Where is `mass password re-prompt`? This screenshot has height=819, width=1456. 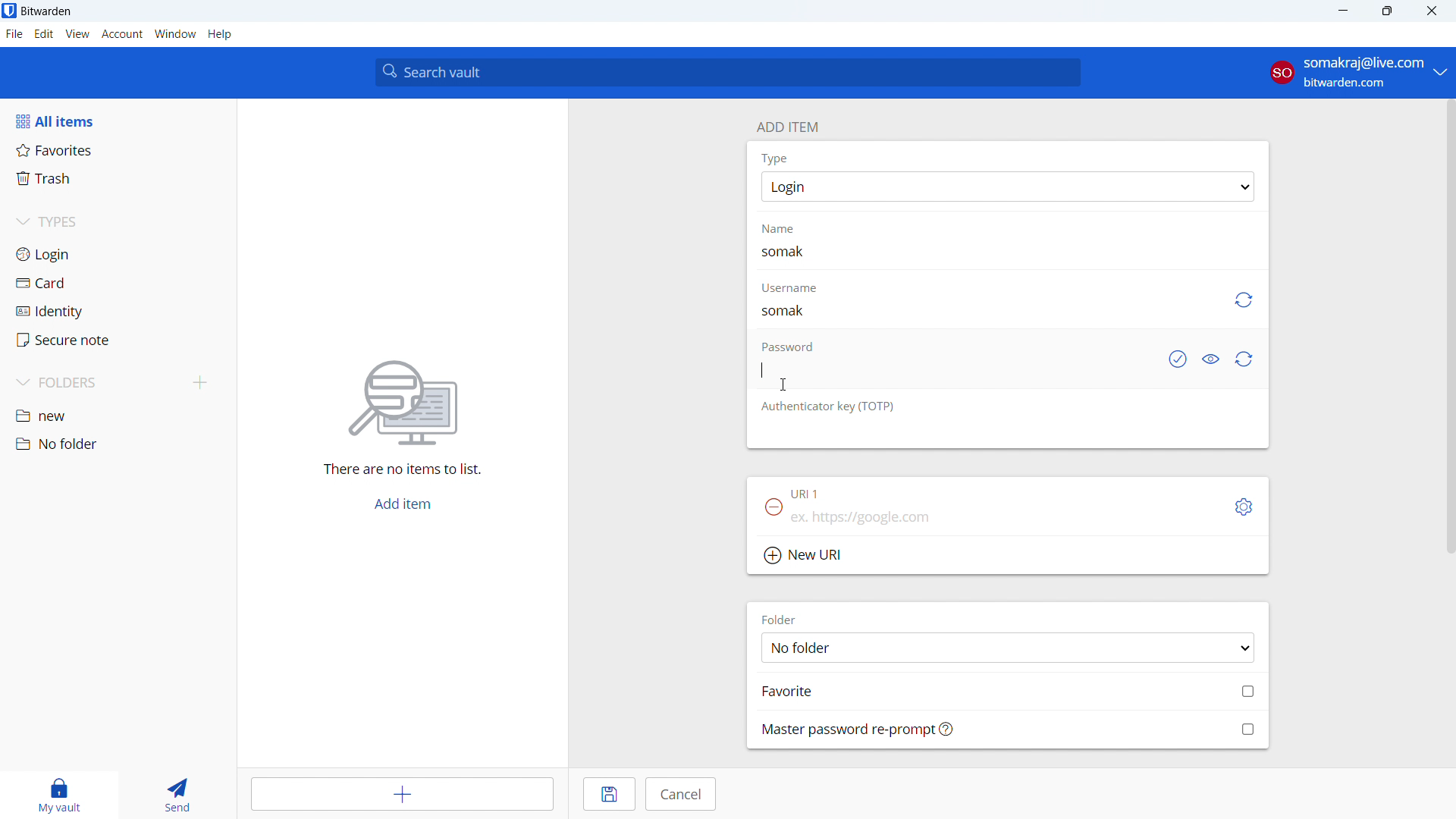
mass password re-prompt is located at coordinates (1009, 729).